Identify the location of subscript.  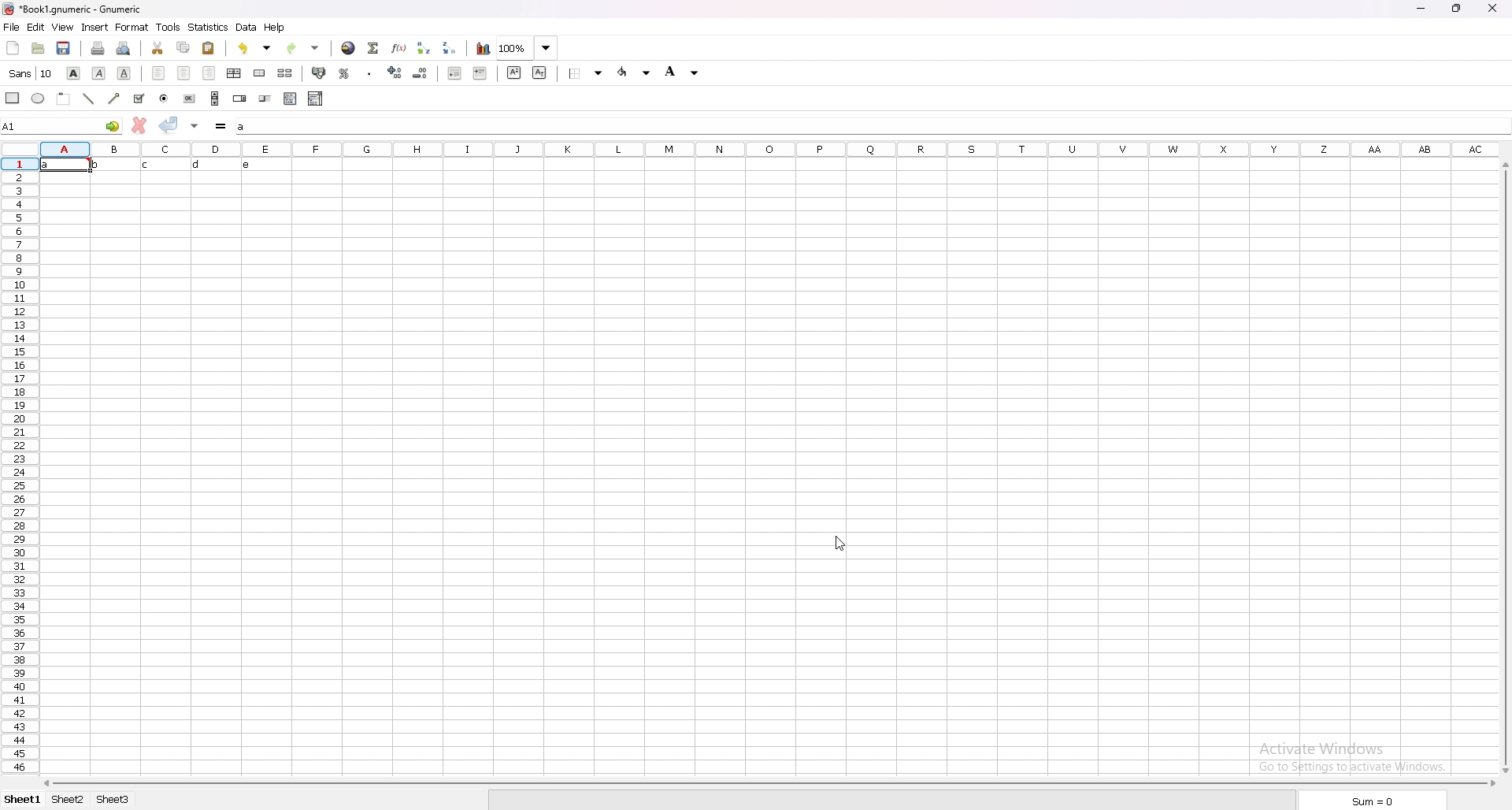
(539, 73).